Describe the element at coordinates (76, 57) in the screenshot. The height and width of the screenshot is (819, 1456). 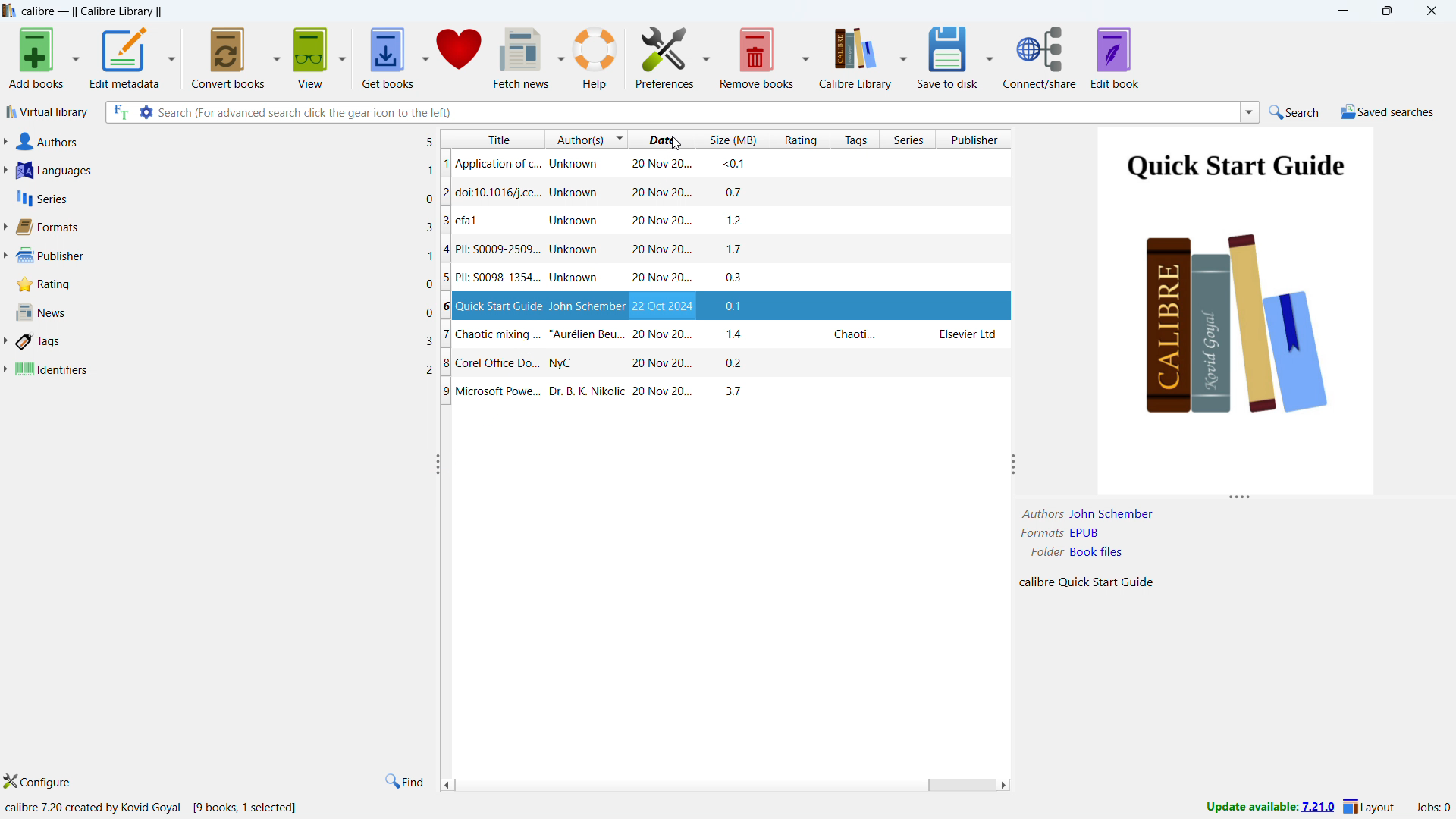
I see `add books options` at that location.